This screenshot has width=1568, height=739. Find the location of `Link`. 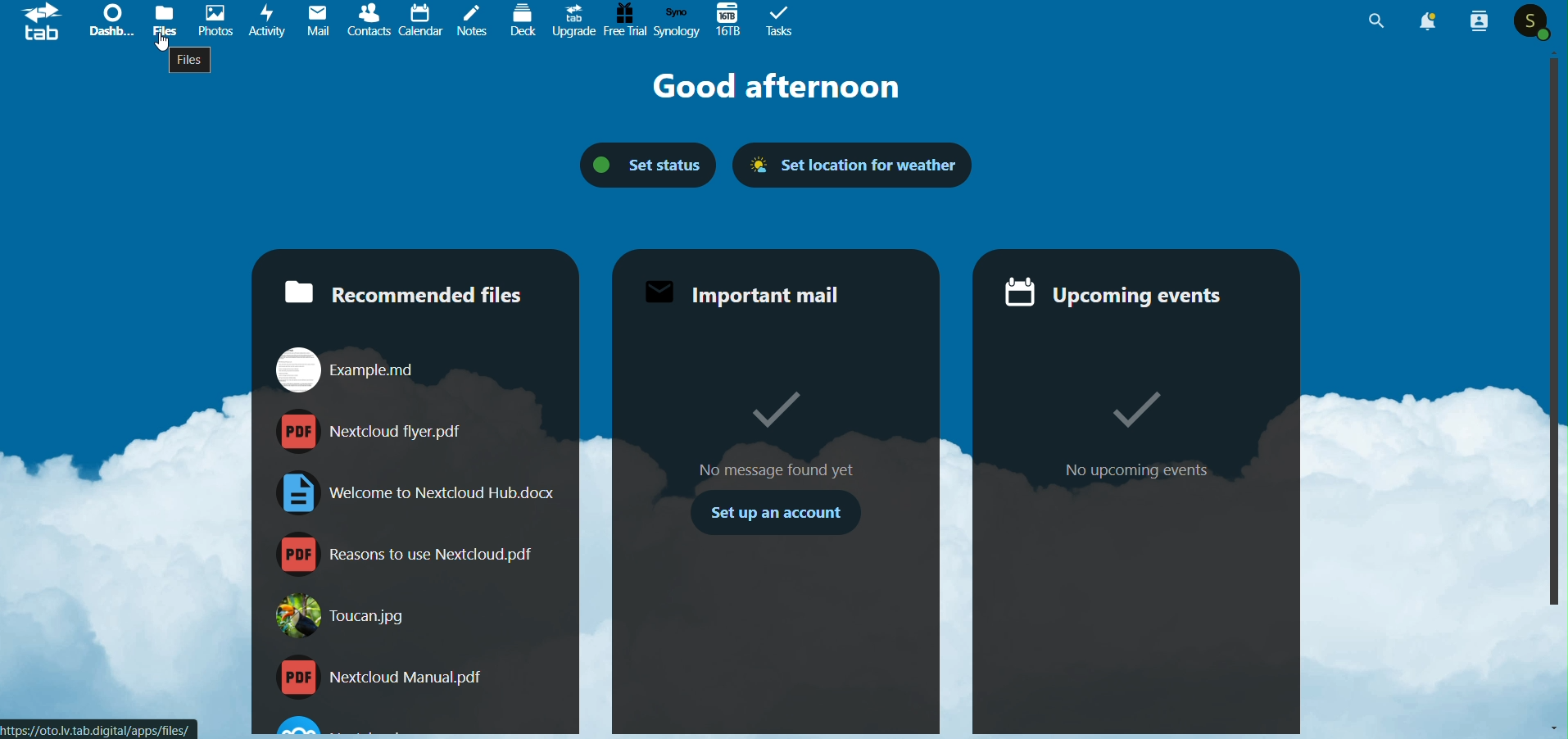

Link is located at coordinates (104, 727).